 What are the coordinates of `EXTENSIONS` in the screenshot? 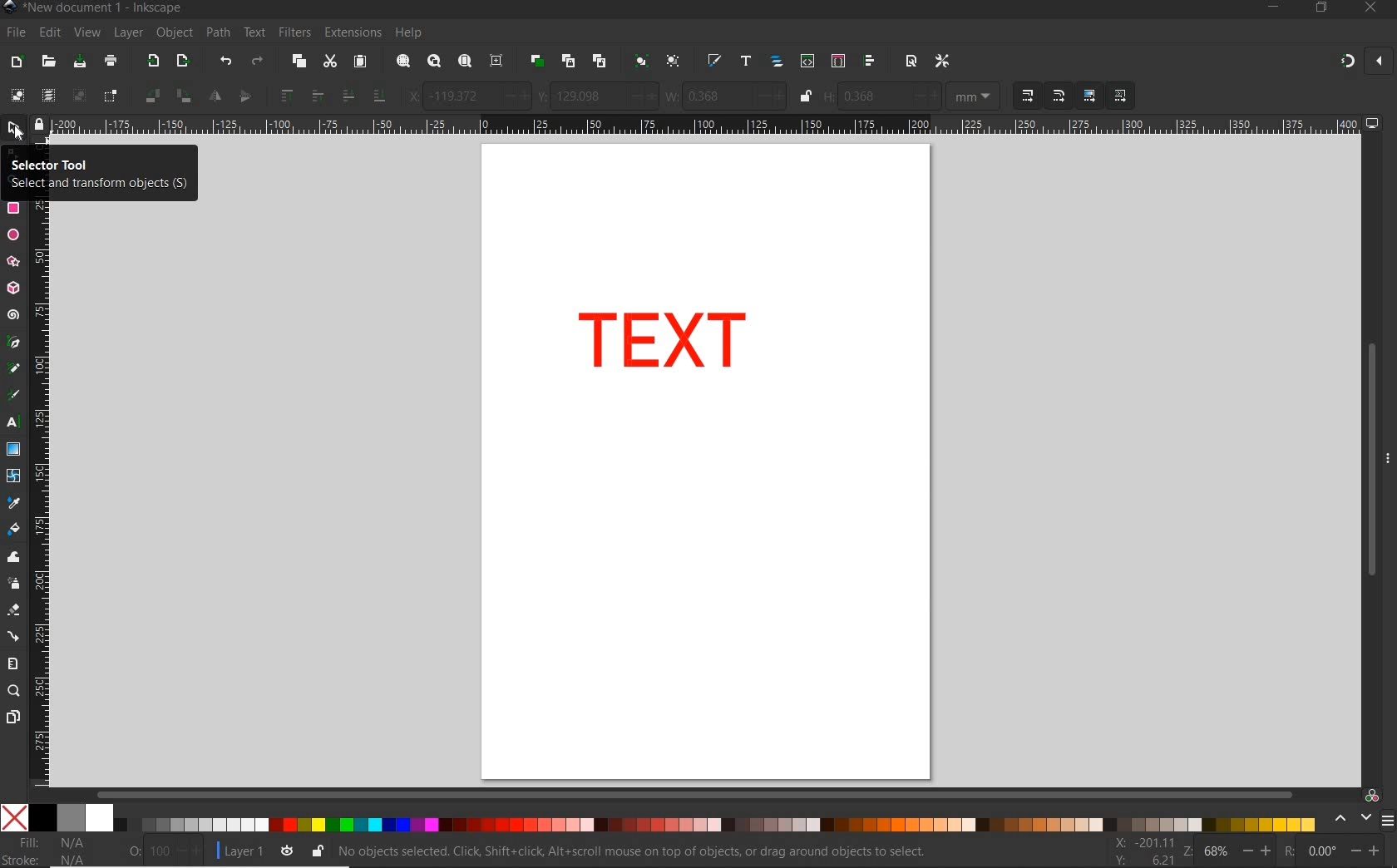 It's located at (351, 32).